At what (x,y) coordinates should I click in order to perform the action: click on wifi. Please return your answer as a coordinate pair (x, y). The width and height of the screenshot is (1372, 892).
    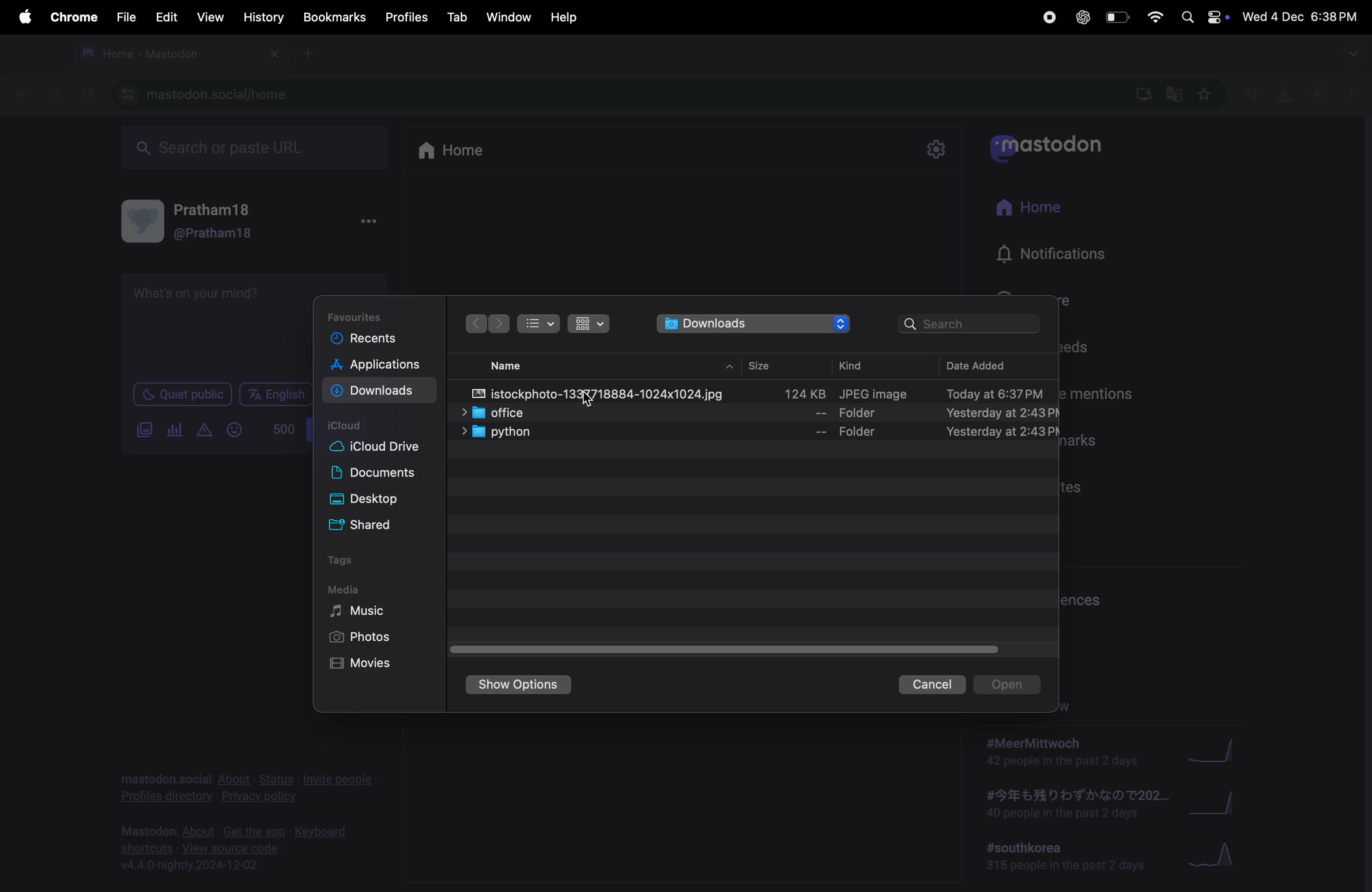
    Looking at the image, I should click on (1155, 17).